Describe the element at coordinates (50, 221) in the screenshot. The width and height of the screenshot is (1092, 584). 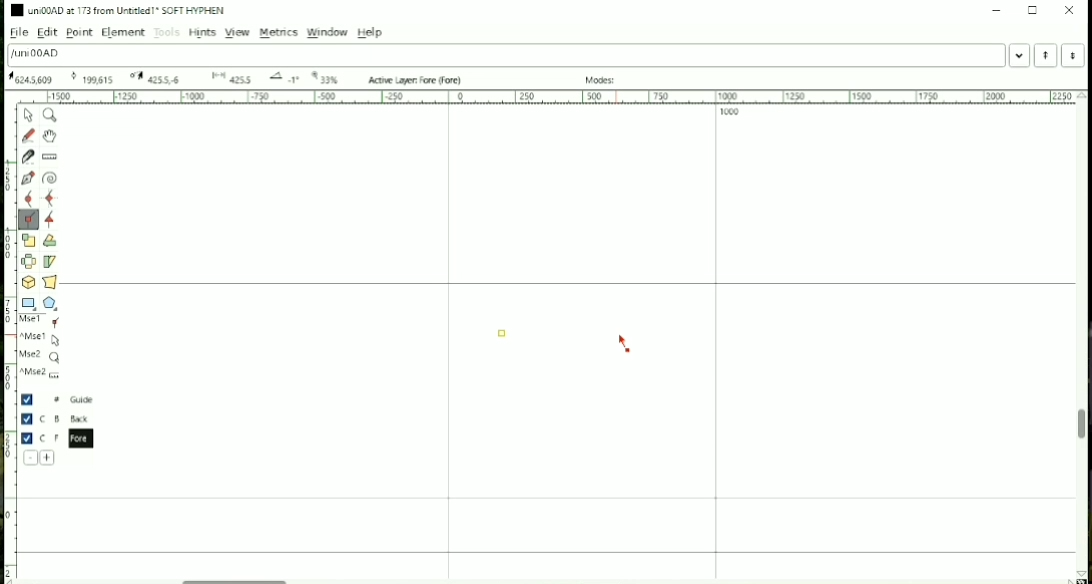
I see `Add a tangent point` at that location.